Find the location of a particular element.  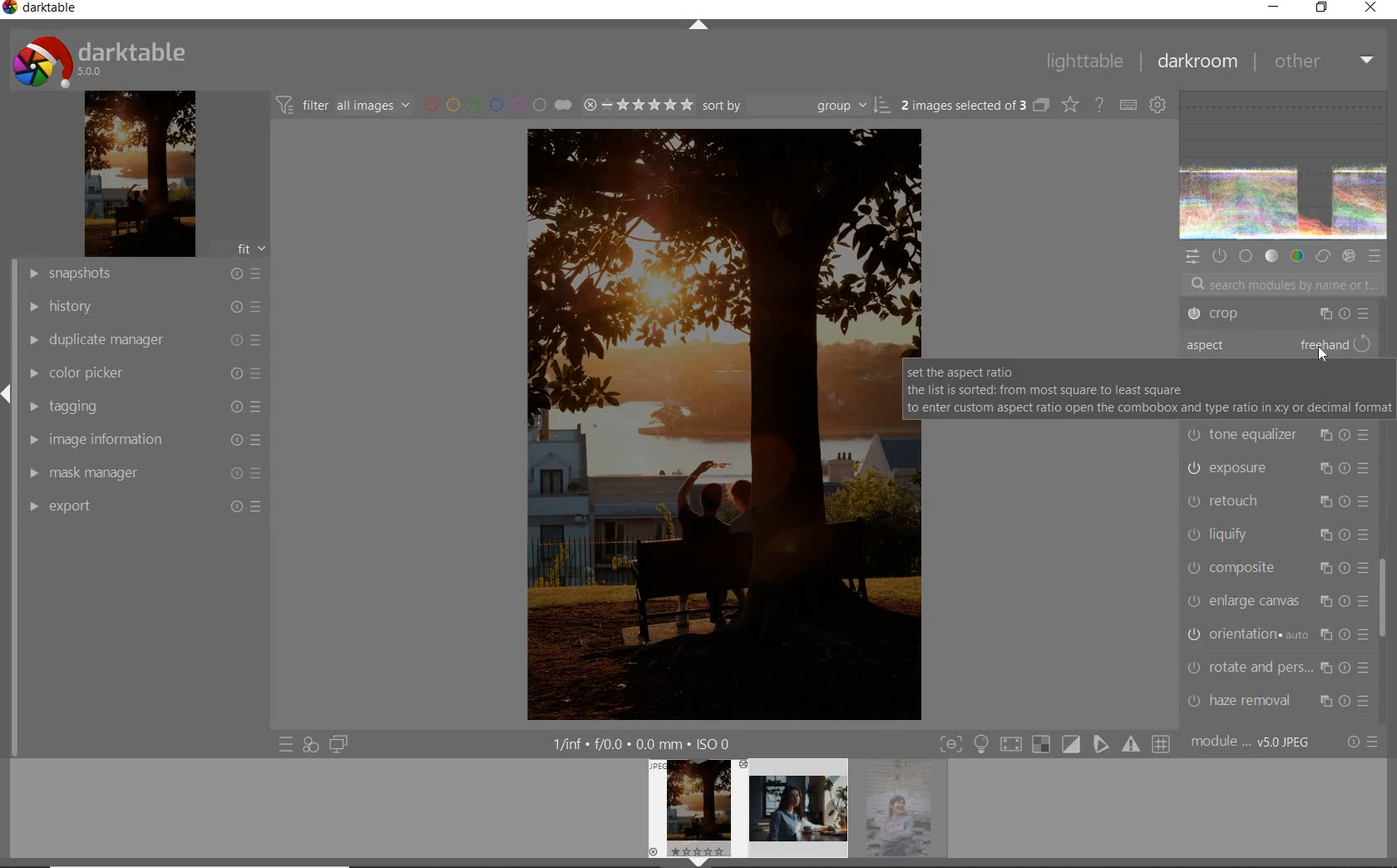

show only active modules is located at coordinates (1221, 255).